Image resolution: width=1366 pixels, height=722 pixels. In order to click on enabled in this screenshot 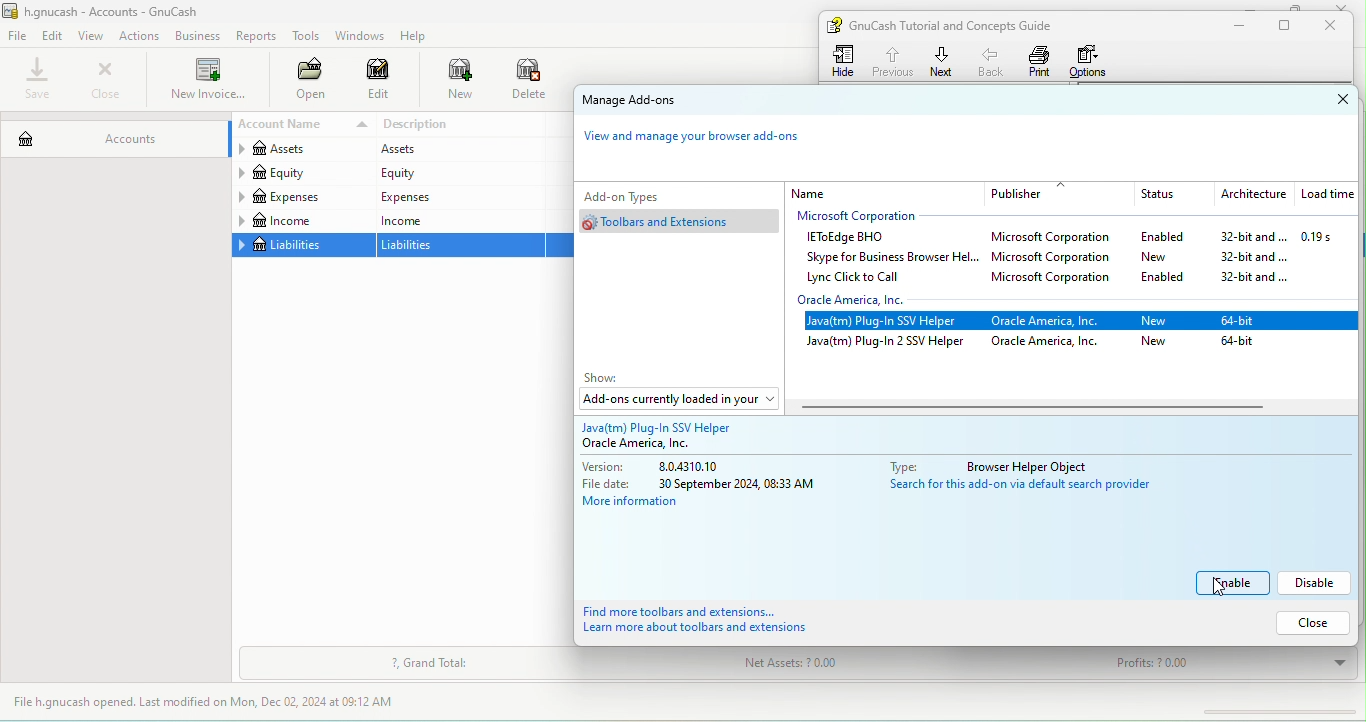, I will do `click(1162, 238)`.